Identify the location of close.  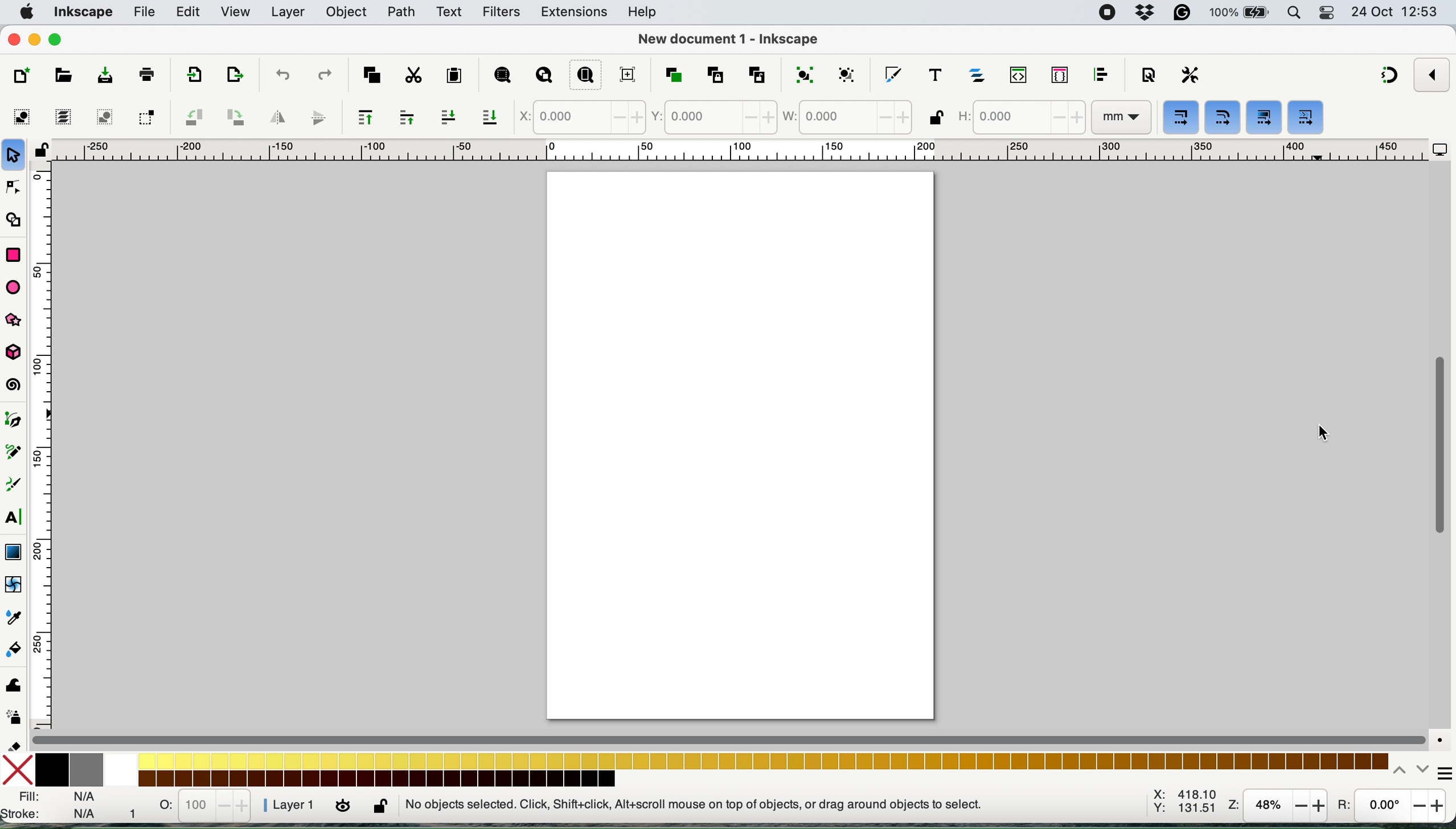
(16, 41).